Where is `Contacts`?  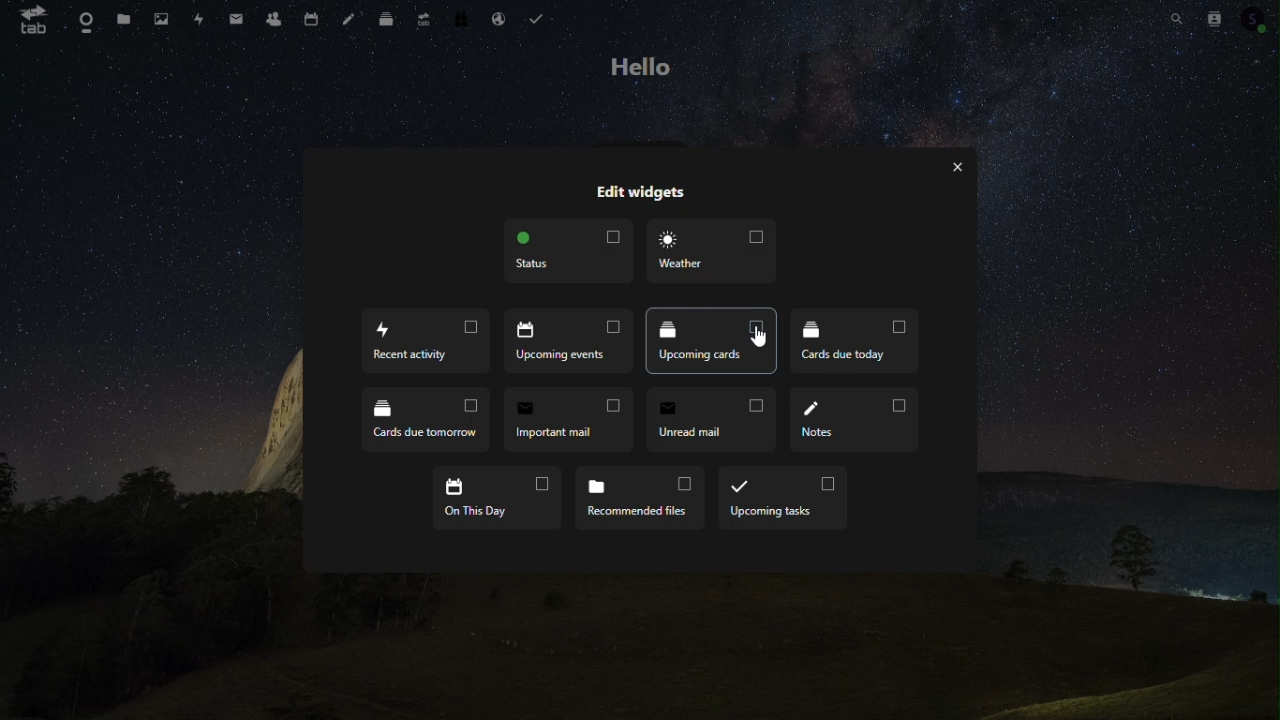
Contacts is located at coordinates (275, 15).